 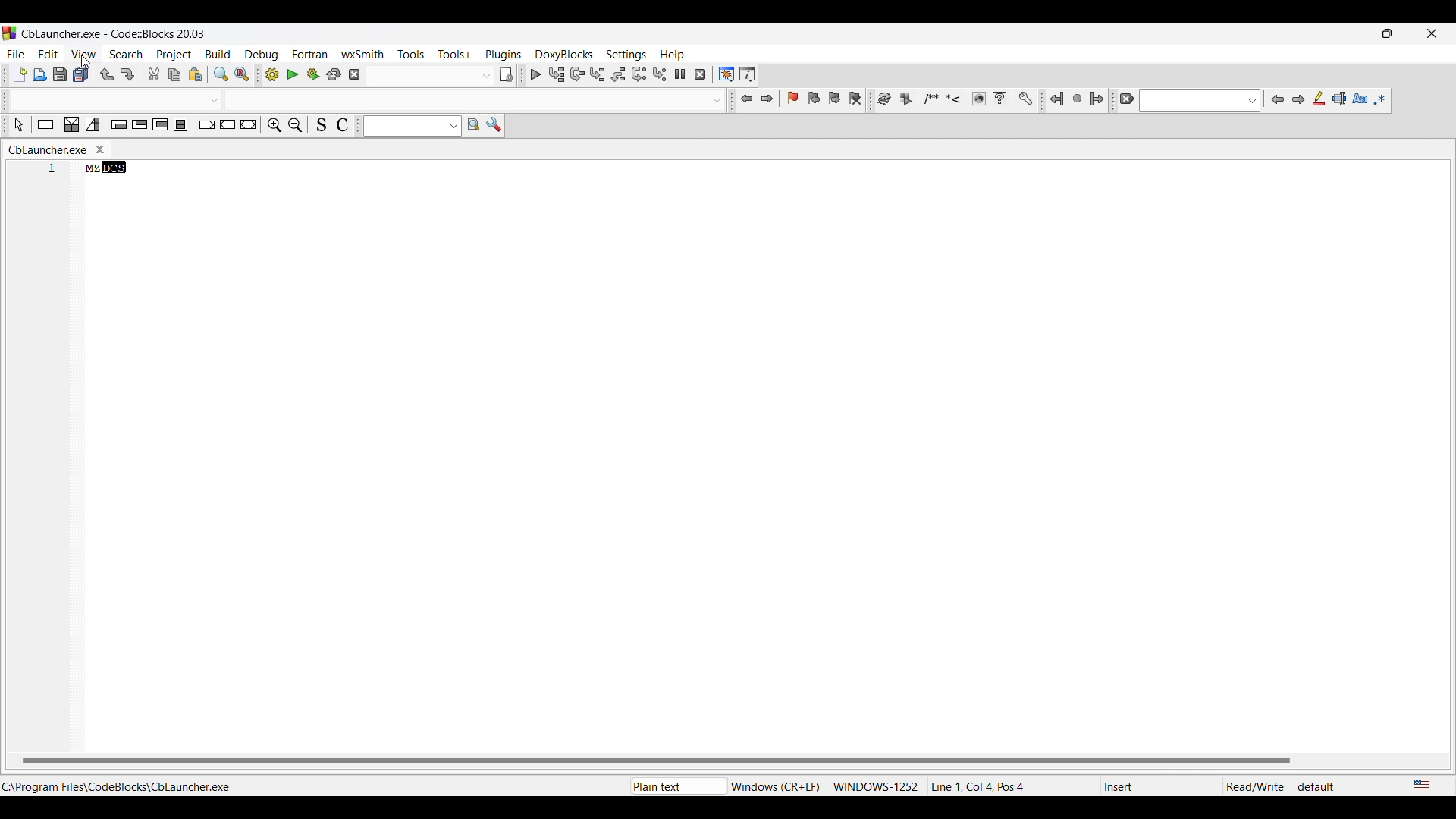 What do you see at coordinates (295, 125) in the screenshot?
I see `Zoom out` at bounding box center [295, 125].